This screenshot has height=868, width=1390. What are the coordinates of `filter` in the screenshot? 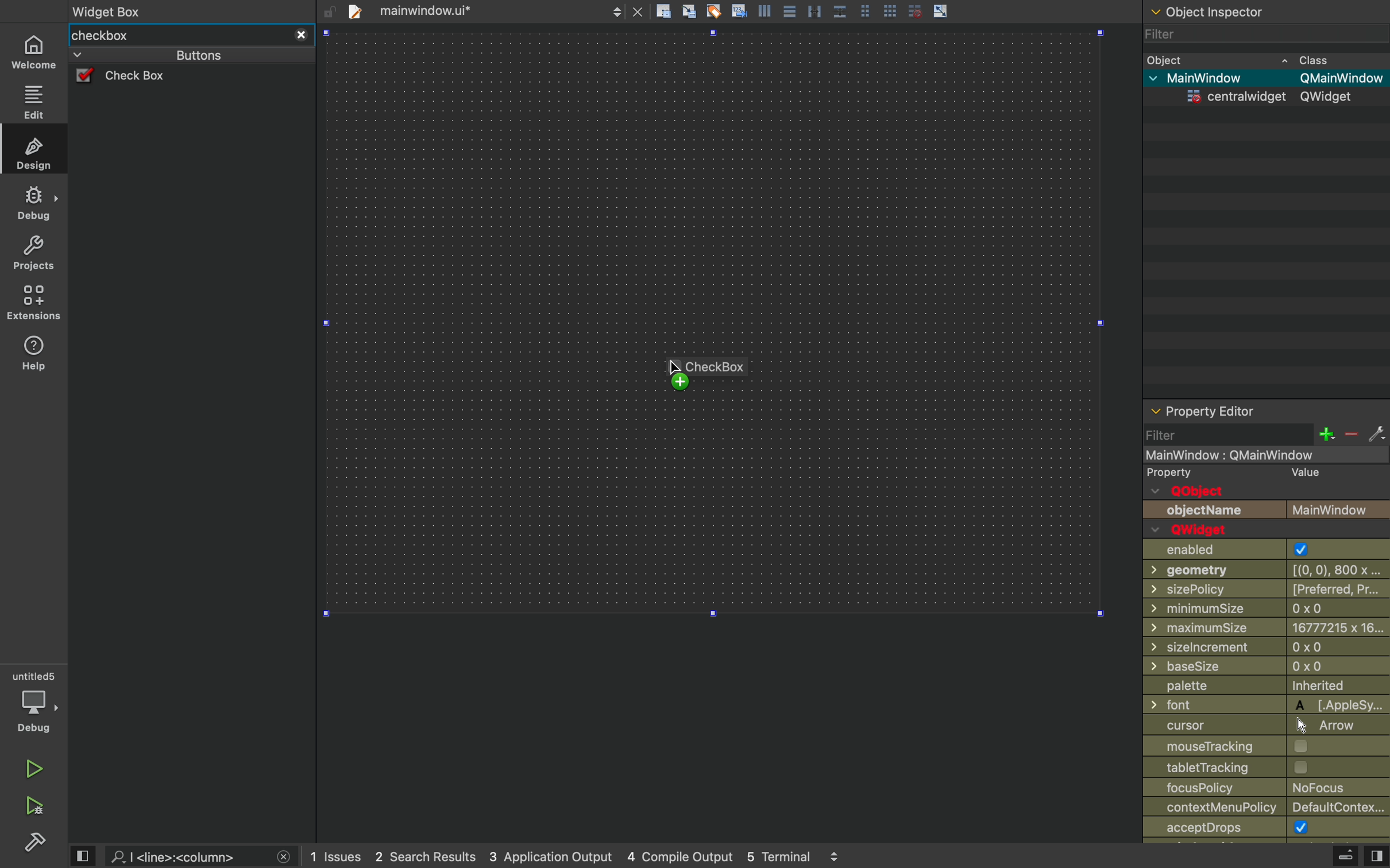 It's located at (1252, 34).